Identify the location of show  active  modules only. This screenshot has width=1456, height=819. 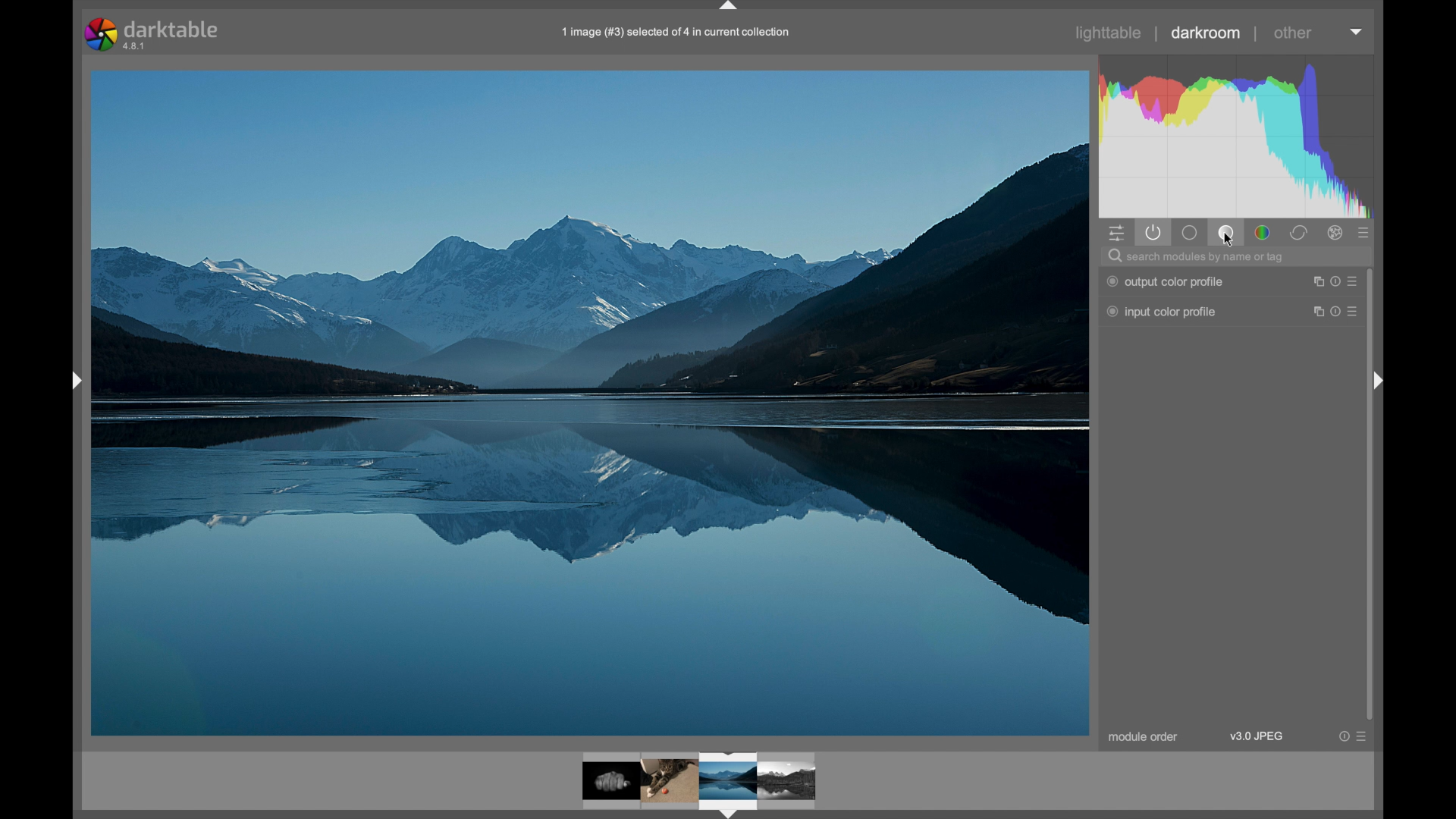
(1154, 233).